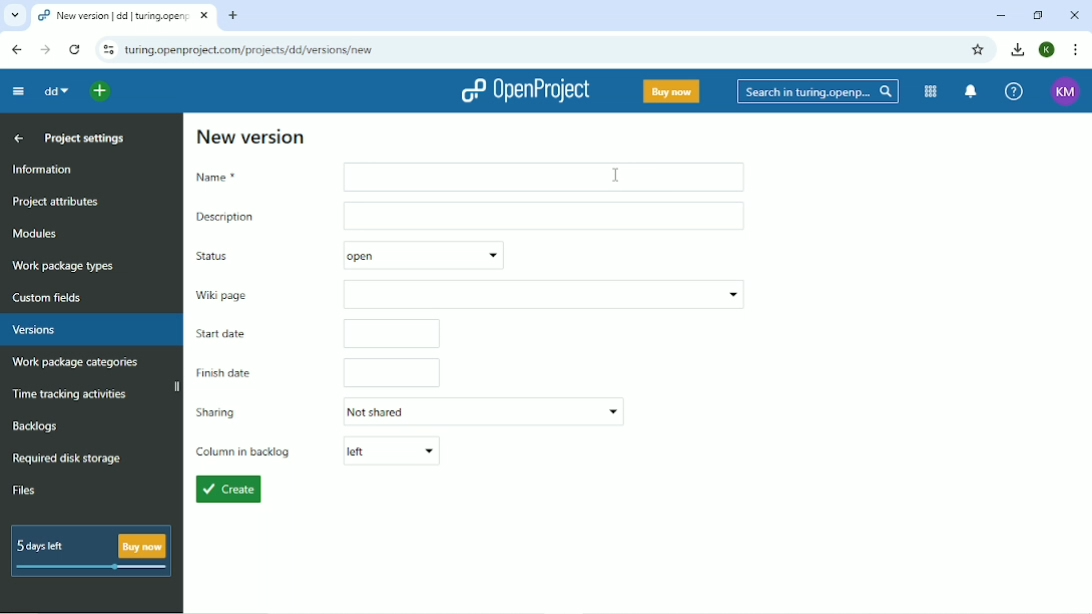 The width and height of the screenshot is (1092, 614). Describe the element at coordinates (64, 267) in the screenshot. I see `Work package types` at that location.